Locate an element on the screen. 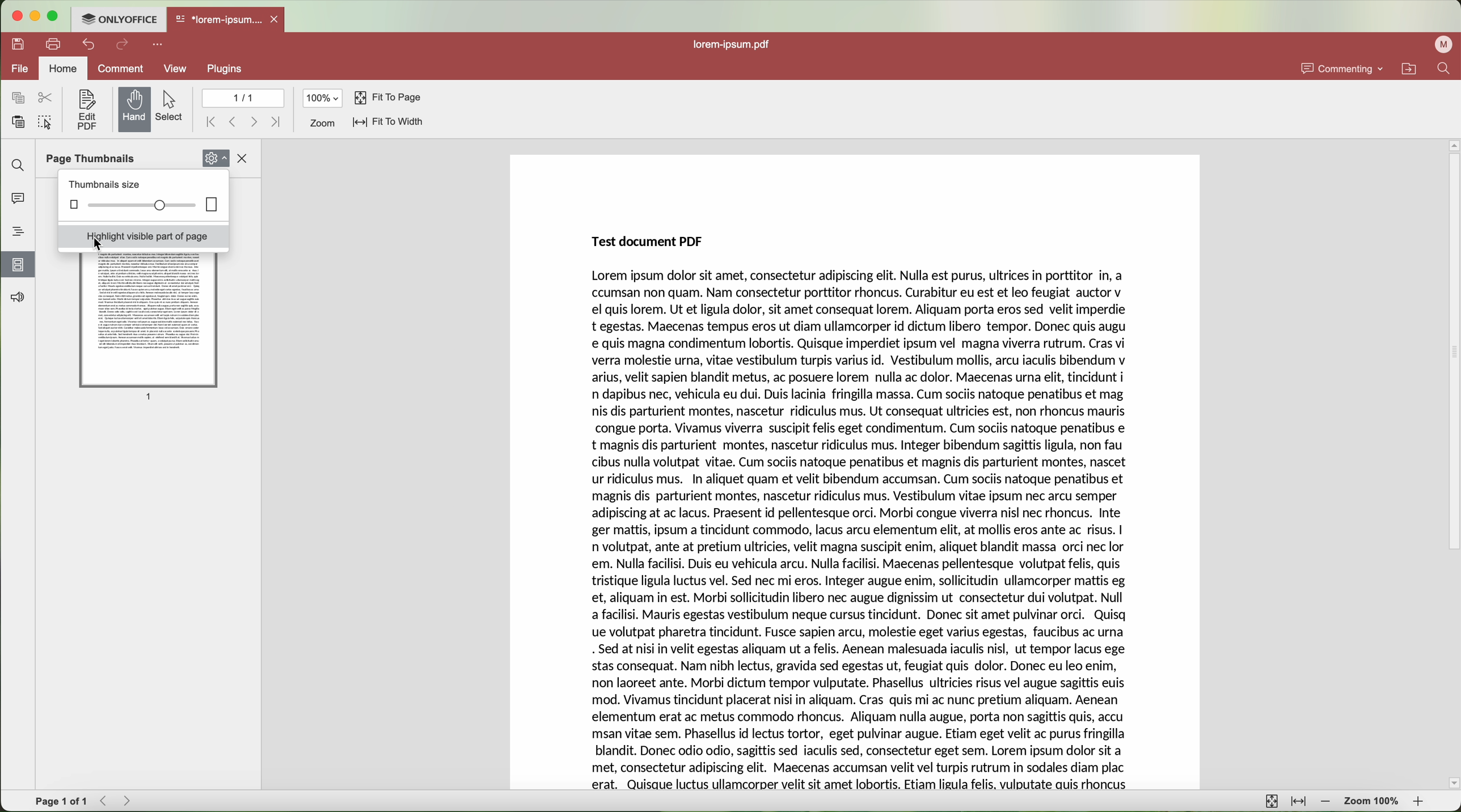 This screenshot has height=812, width=1461. file is located at coordinates (15, 69).